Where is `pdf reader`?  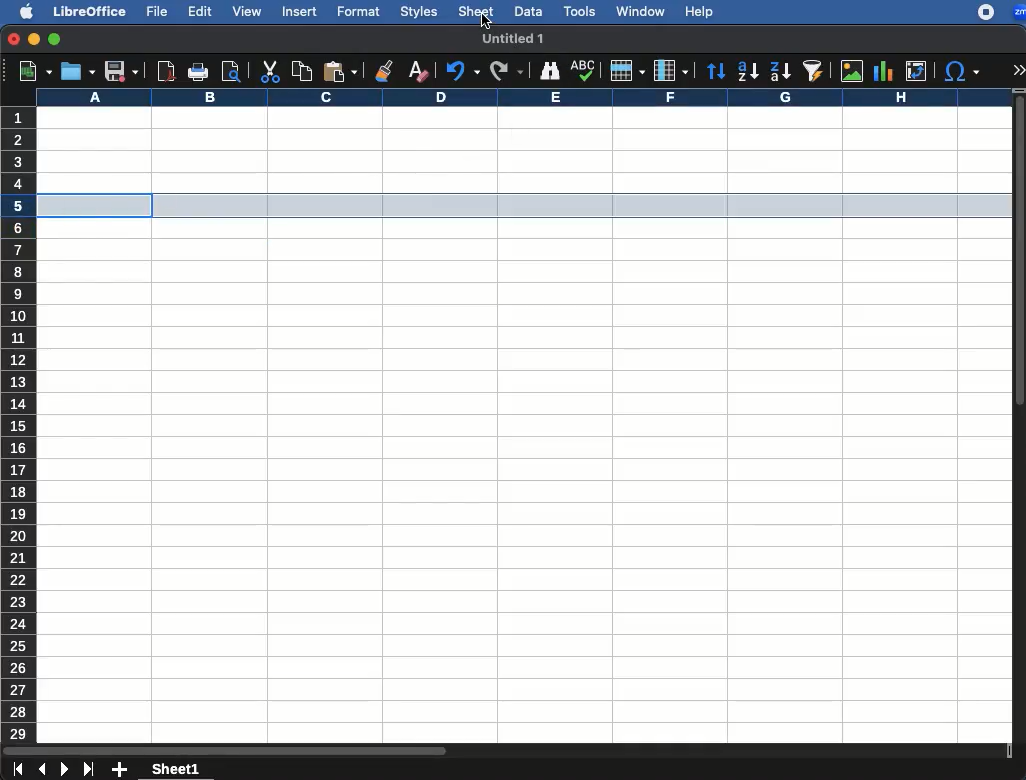
pdf reader is located at coordinates (165, 71).